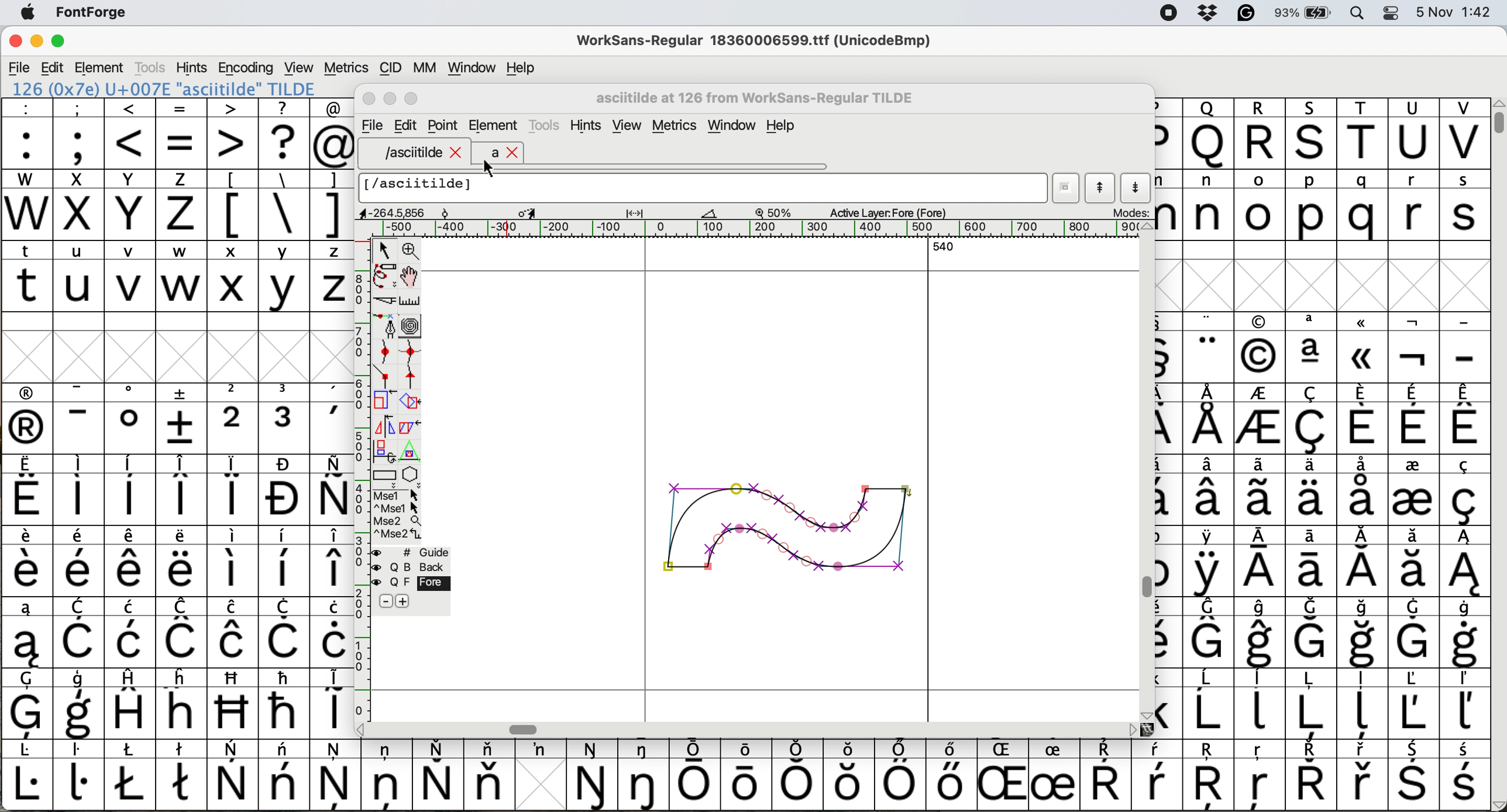  Describe the element at coordinates (386, 400) in the screenshot. I see `scale selection` at that location.